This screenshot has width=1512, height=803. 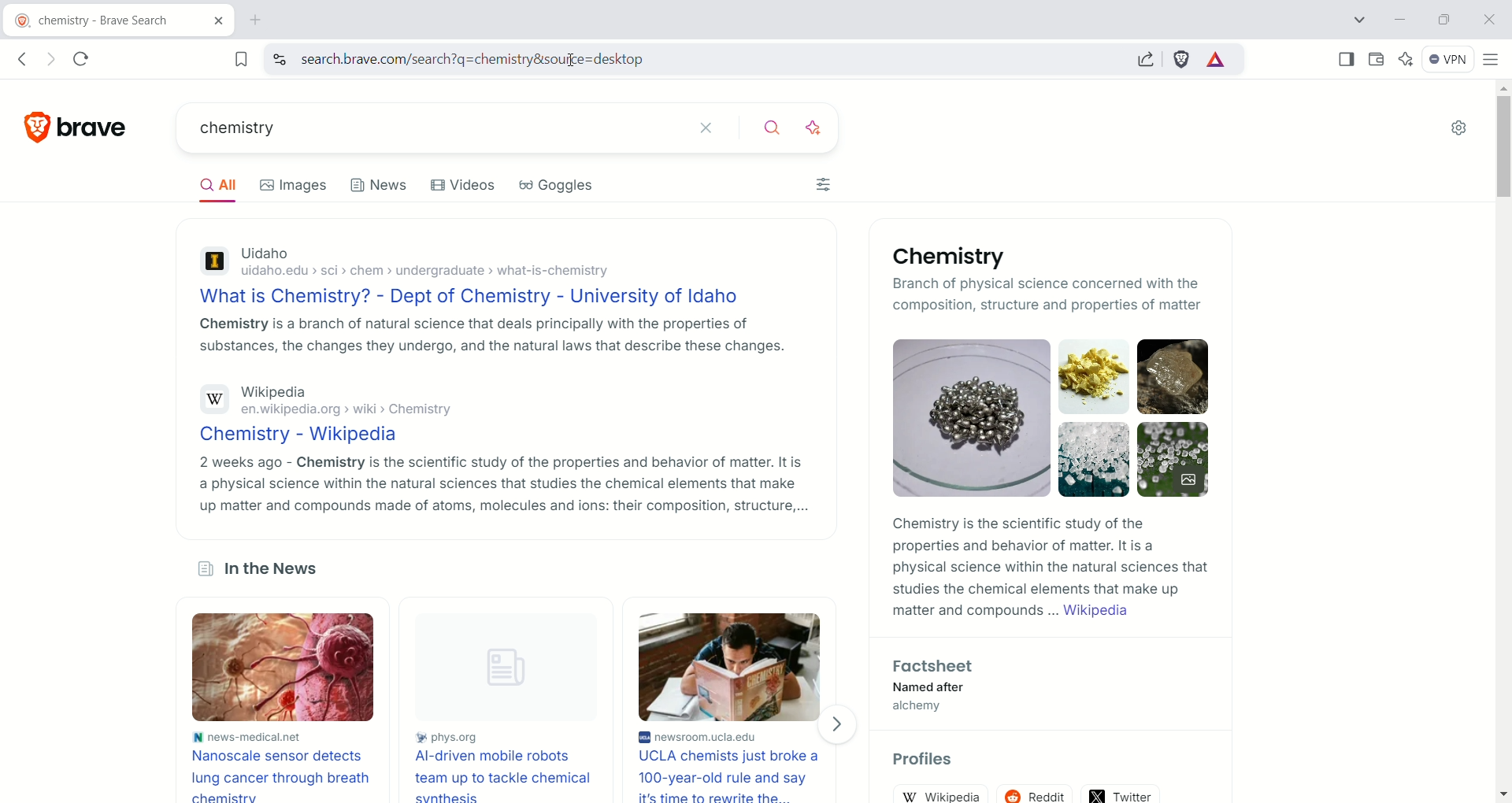 What do you see at coordinates (926, 760) in the screenshot?
I see `profiles` at bounding box center [926, 760].